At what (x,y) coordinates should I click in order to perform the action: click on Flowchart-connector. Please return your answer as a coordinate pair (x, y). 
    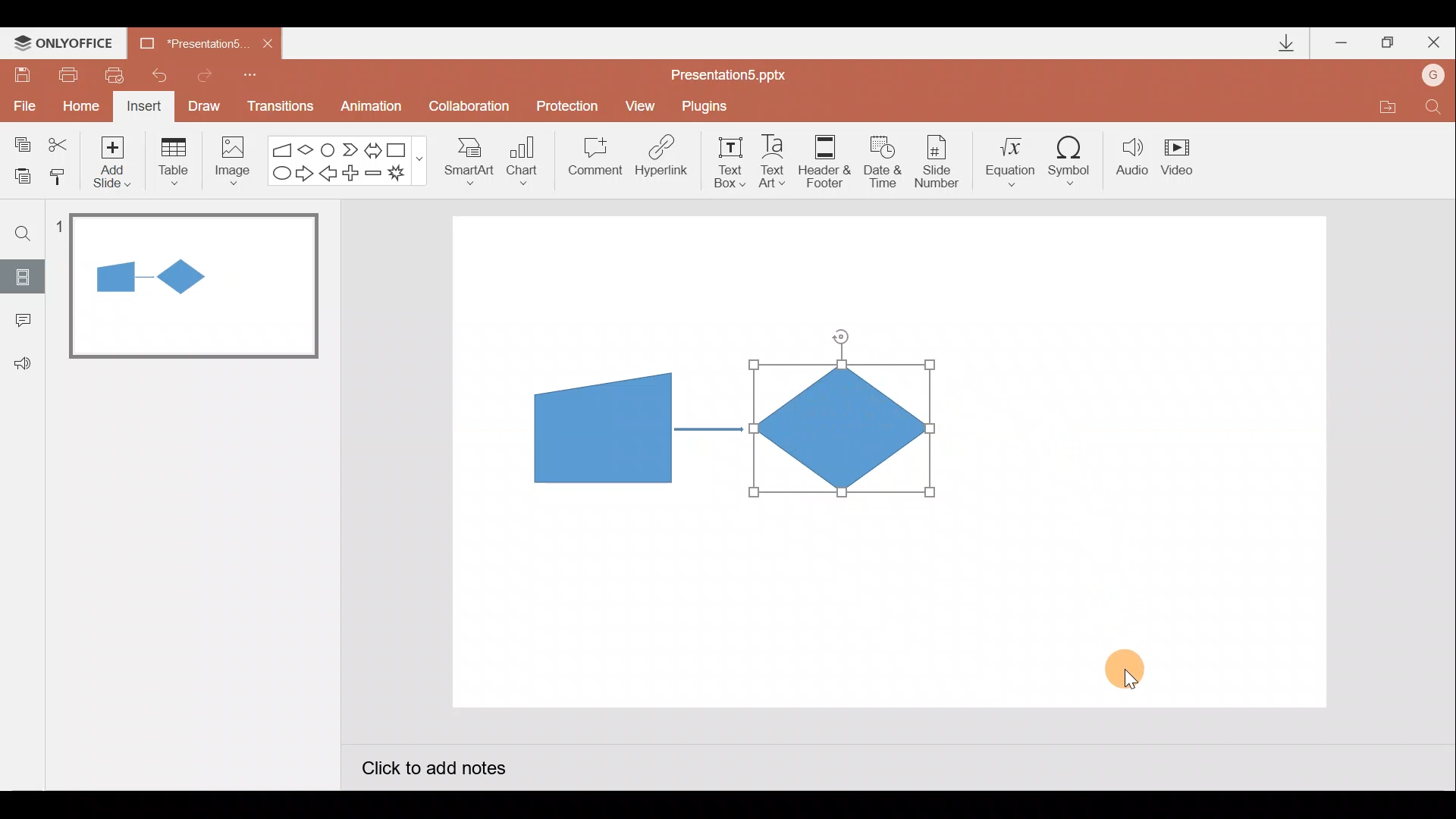
    Looking at the image, I should click on (329, 149).